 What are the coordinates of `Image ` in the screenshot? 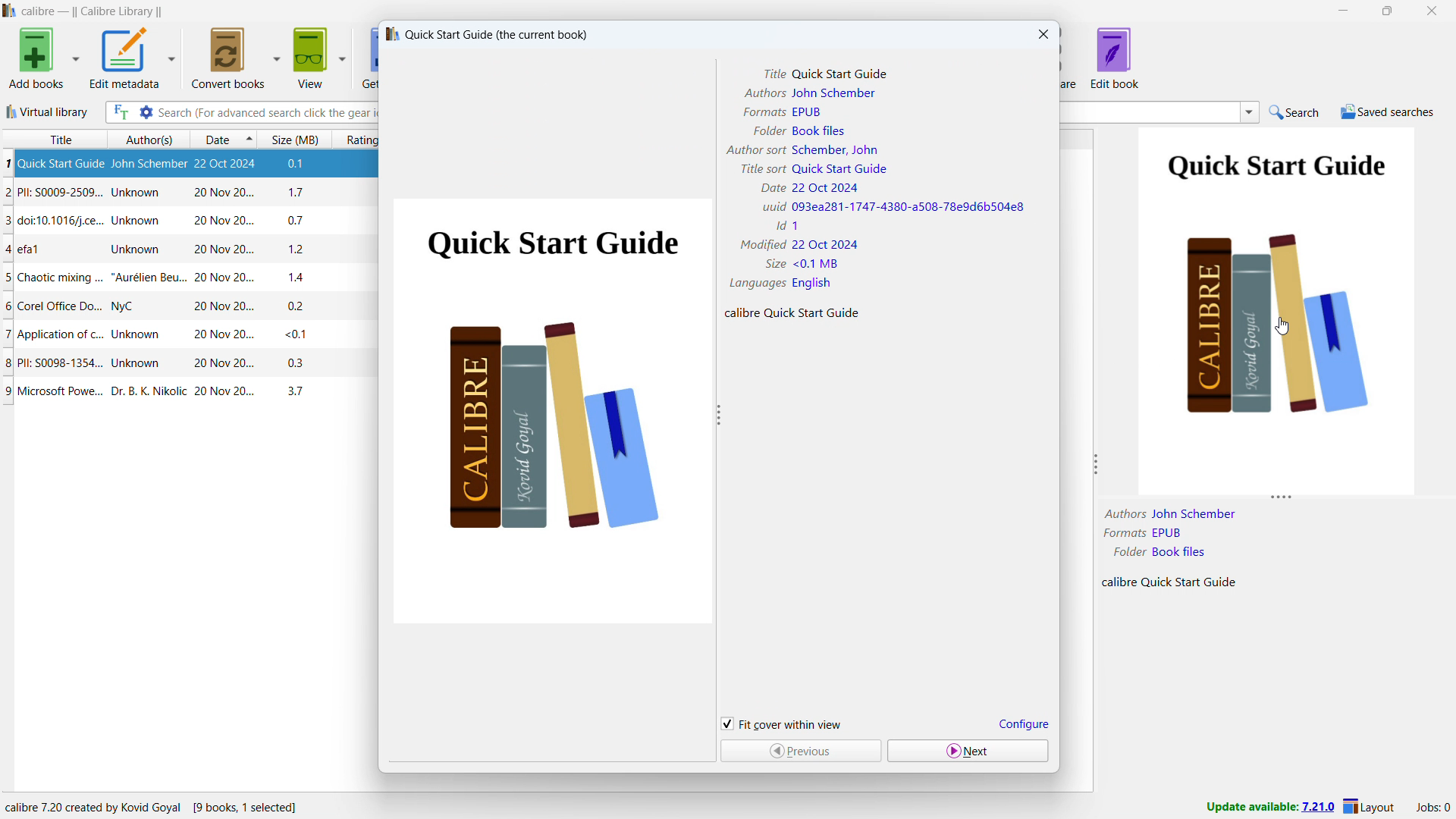 It's located at (1278, 311).